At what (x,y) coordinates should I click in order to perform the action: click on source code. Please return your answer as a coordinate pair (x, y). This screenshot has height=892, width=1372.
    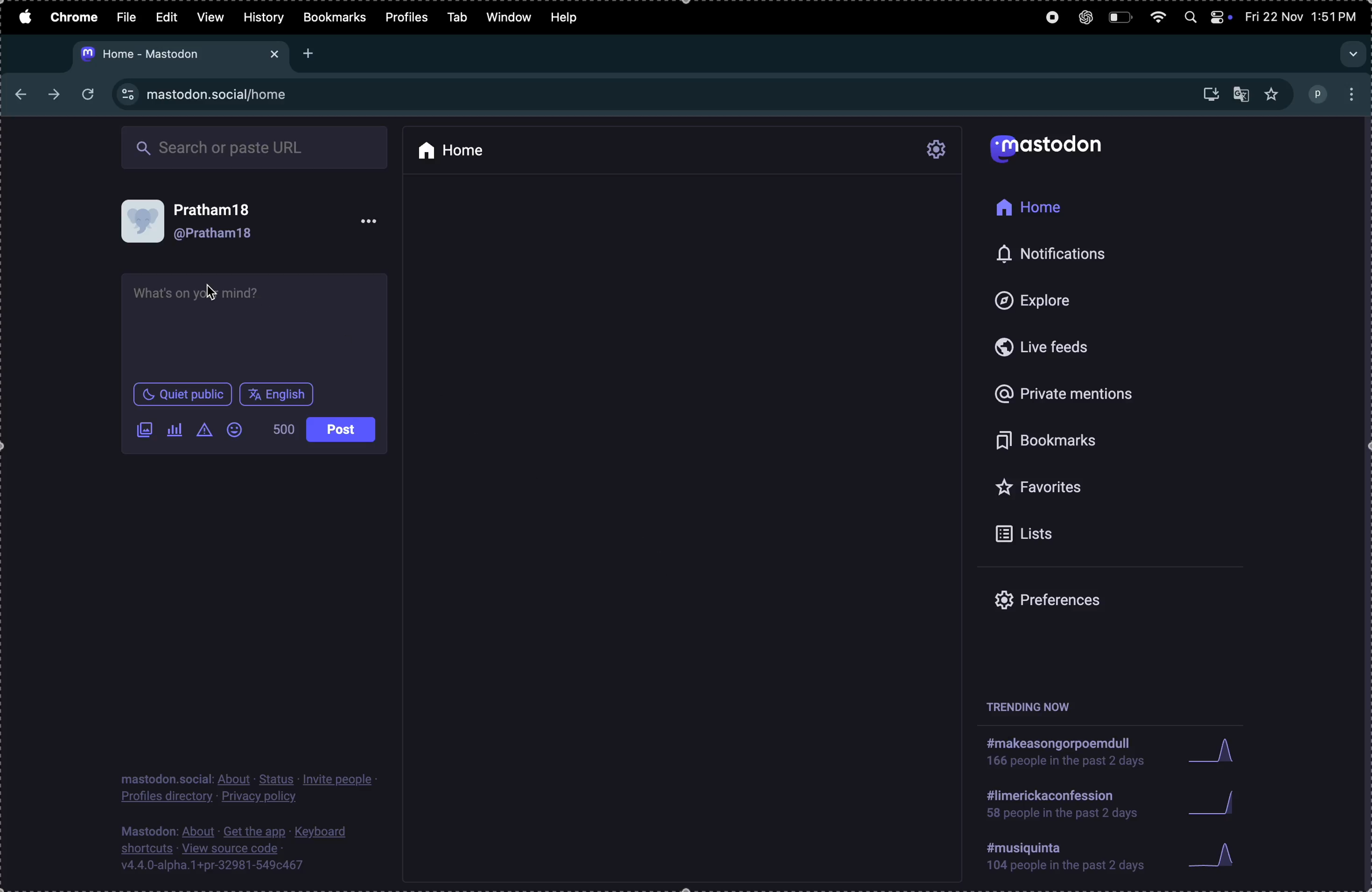
    Looking at the image, I should click on (229, 849).